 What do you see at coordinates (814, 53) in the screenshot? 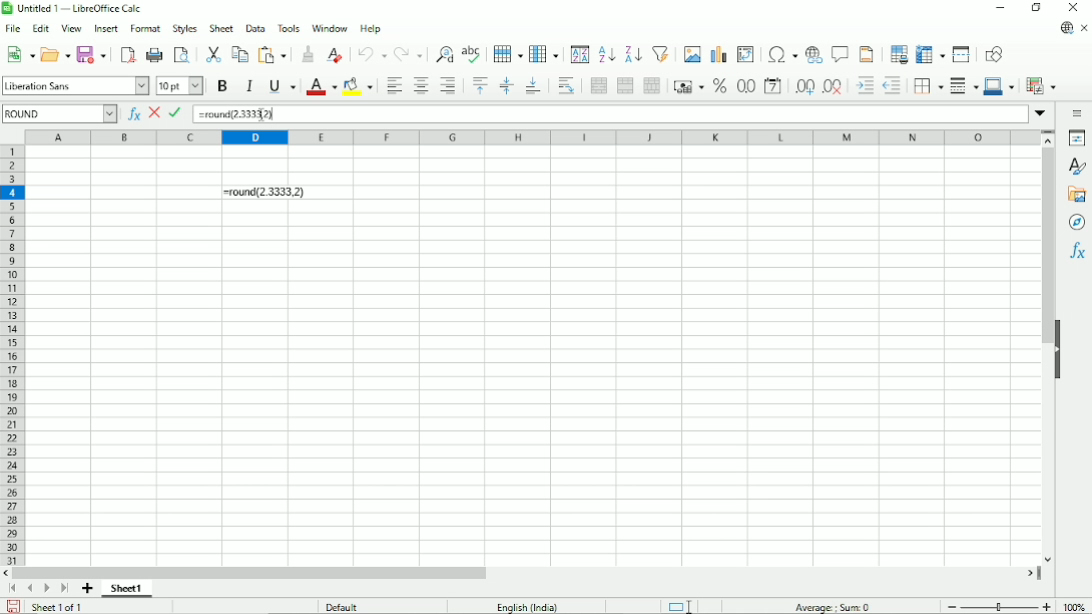
I see `Insert hyperlink` at bounding box center [814, 53].